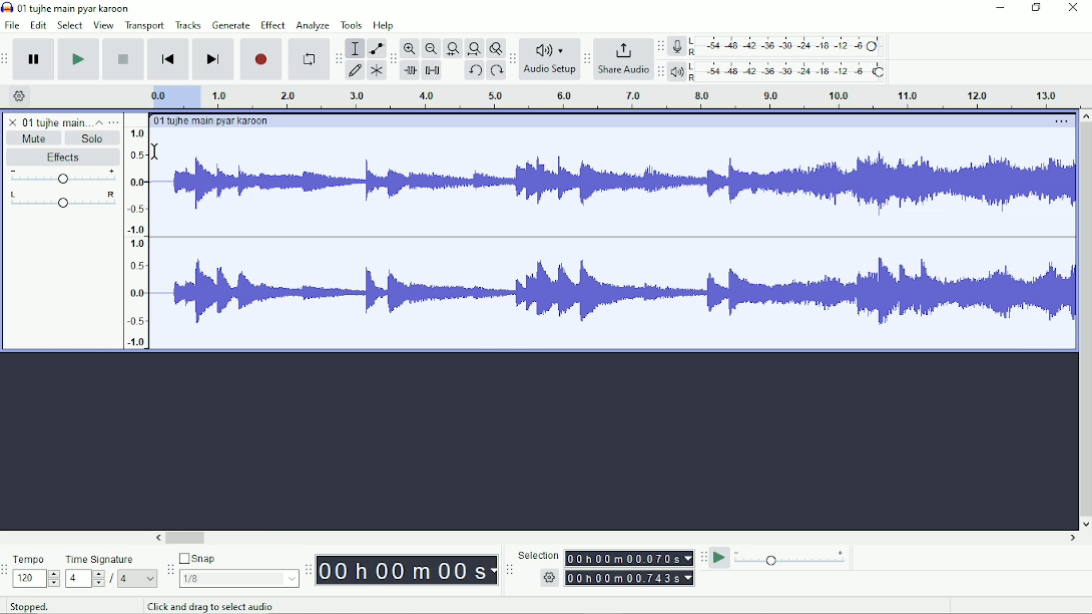  What do you see at coordinates (238, 578) in the screenshot?
I see `1/8` at bounding box center [238, 578].